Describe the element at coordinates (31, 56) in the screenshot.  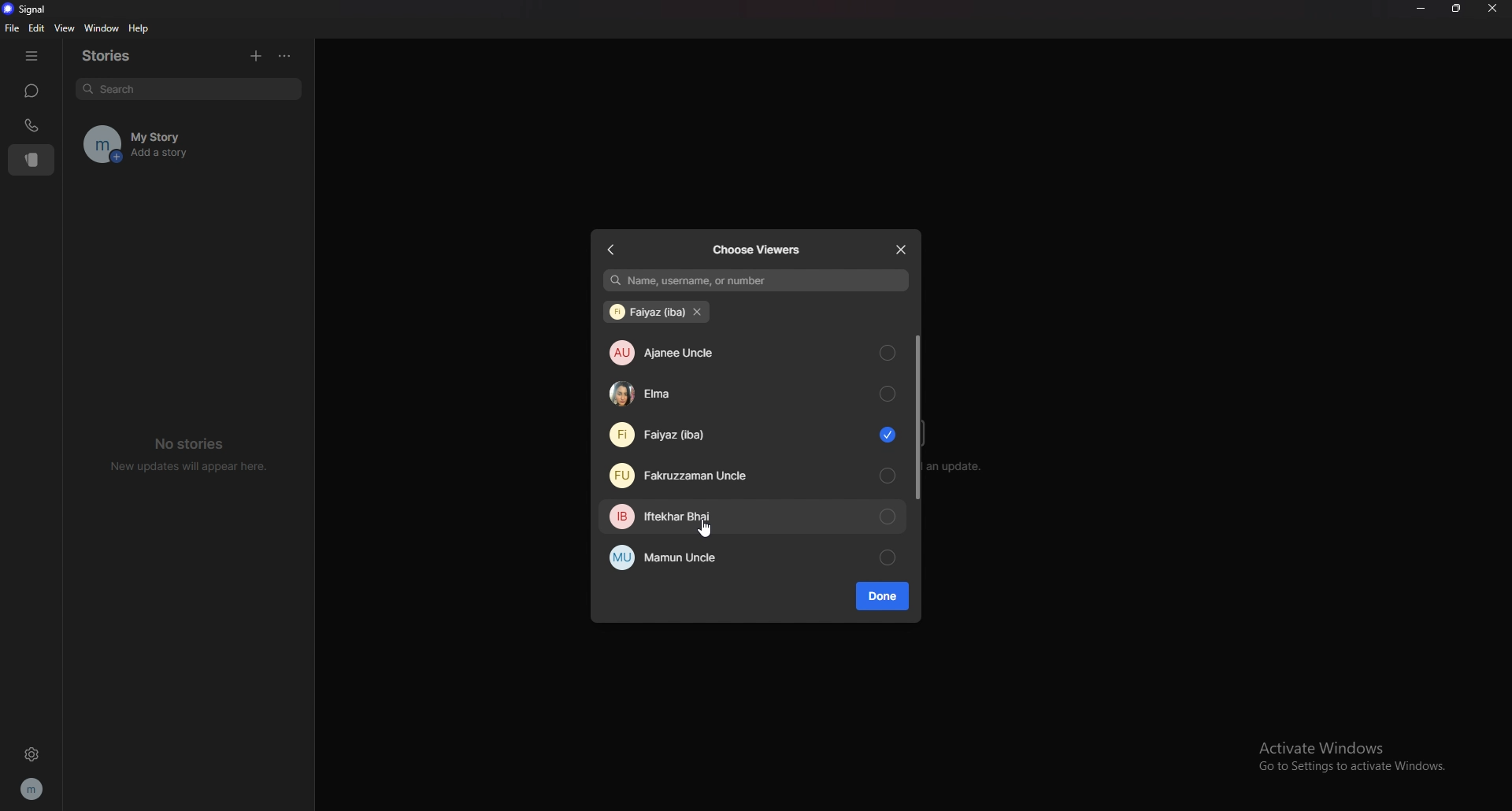
I see `hide tab` at that location.